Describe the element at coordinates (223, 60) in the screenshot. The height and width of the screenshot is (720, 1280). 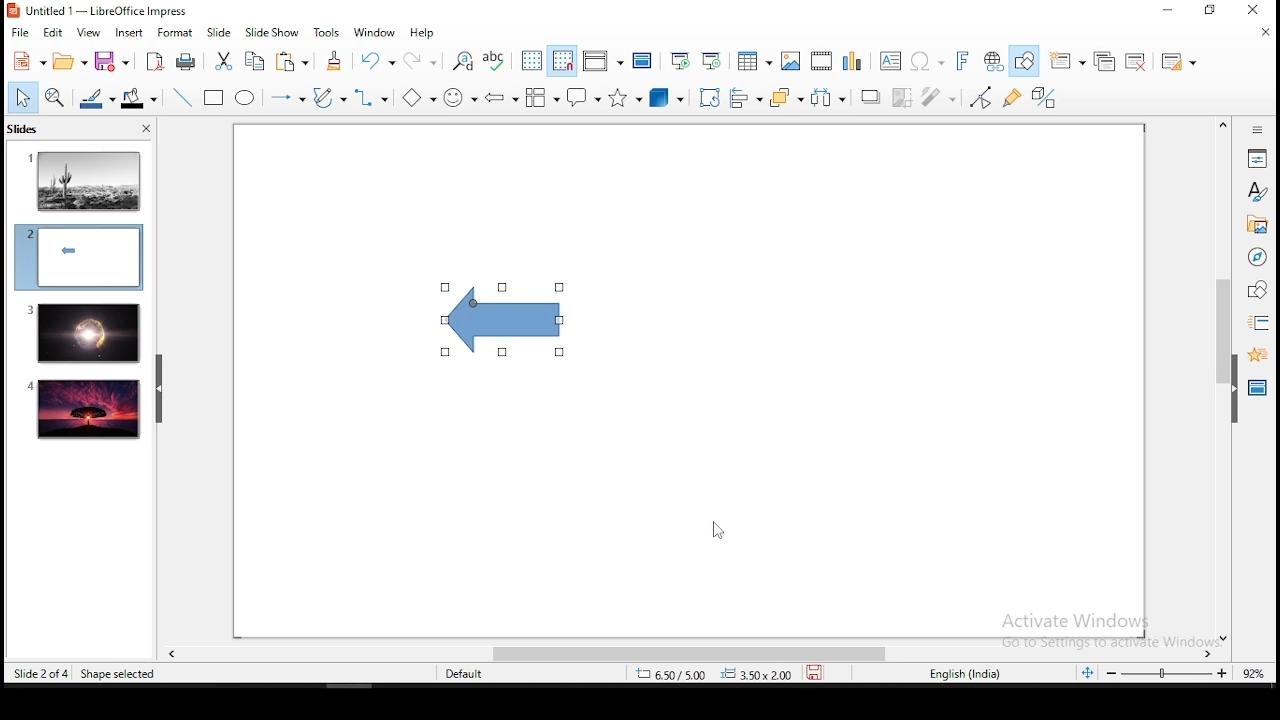
I see `cut` at that location.